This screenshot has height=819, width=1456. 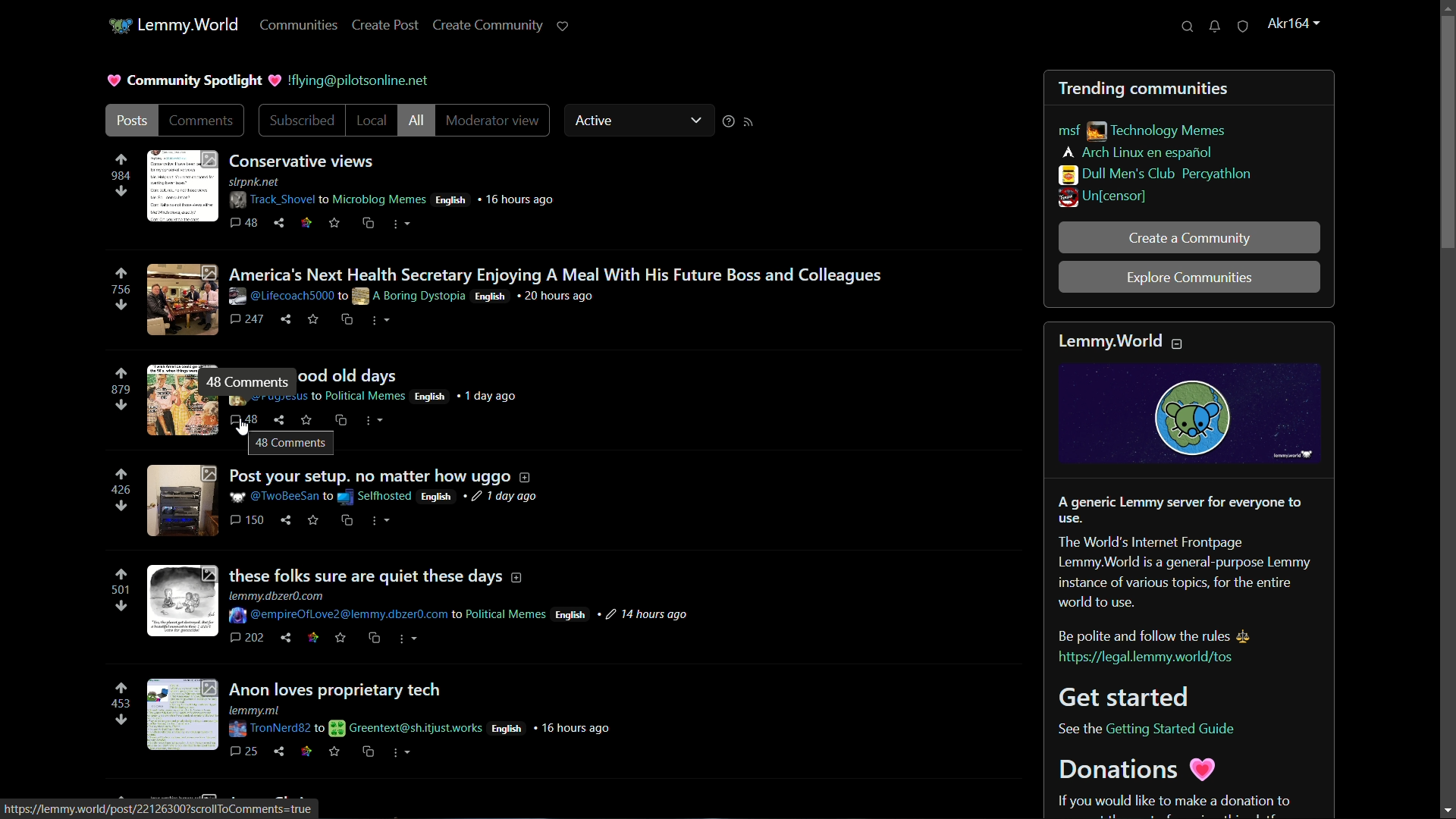 What do you see at coordinates (749, 122) in the screenshot?
I see `rss` at bounding box center [749, 122].